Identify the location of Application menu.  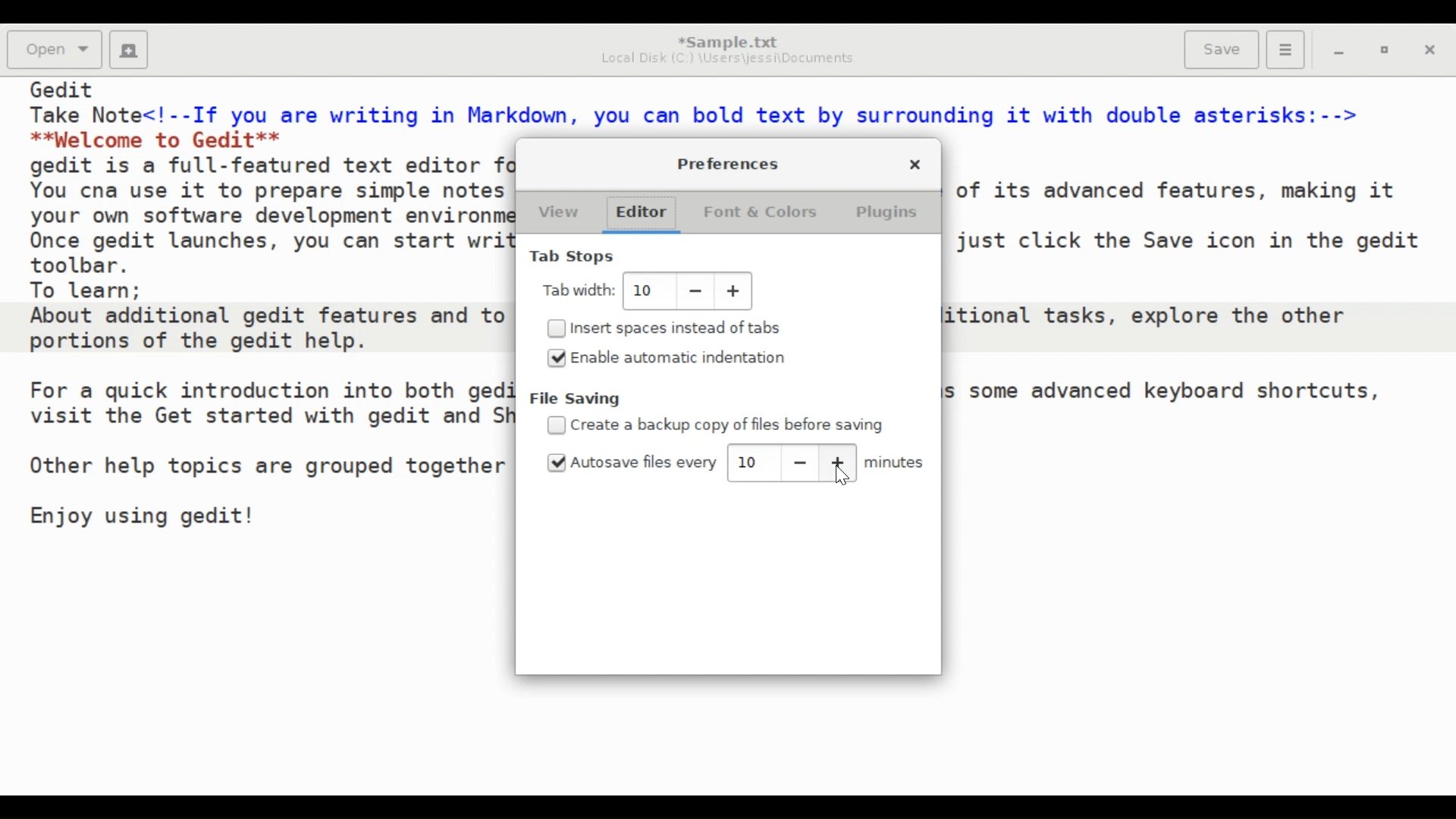
(1285, 50).